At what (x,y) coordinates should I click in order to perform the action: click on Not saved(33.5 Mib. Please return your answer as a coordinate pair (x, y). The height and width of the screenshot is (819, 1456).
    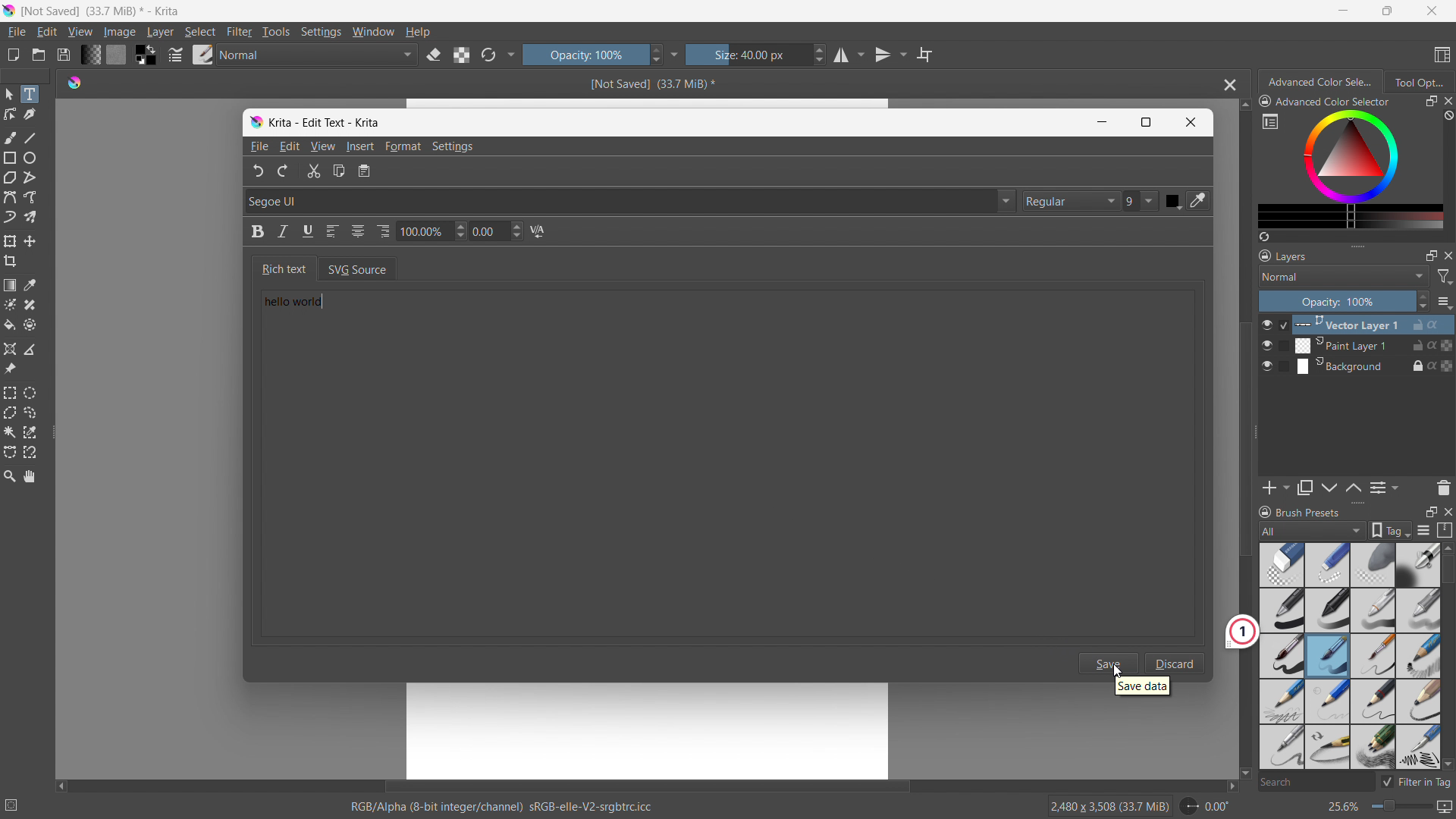
    Looking at the image, I should click on (648, 83).